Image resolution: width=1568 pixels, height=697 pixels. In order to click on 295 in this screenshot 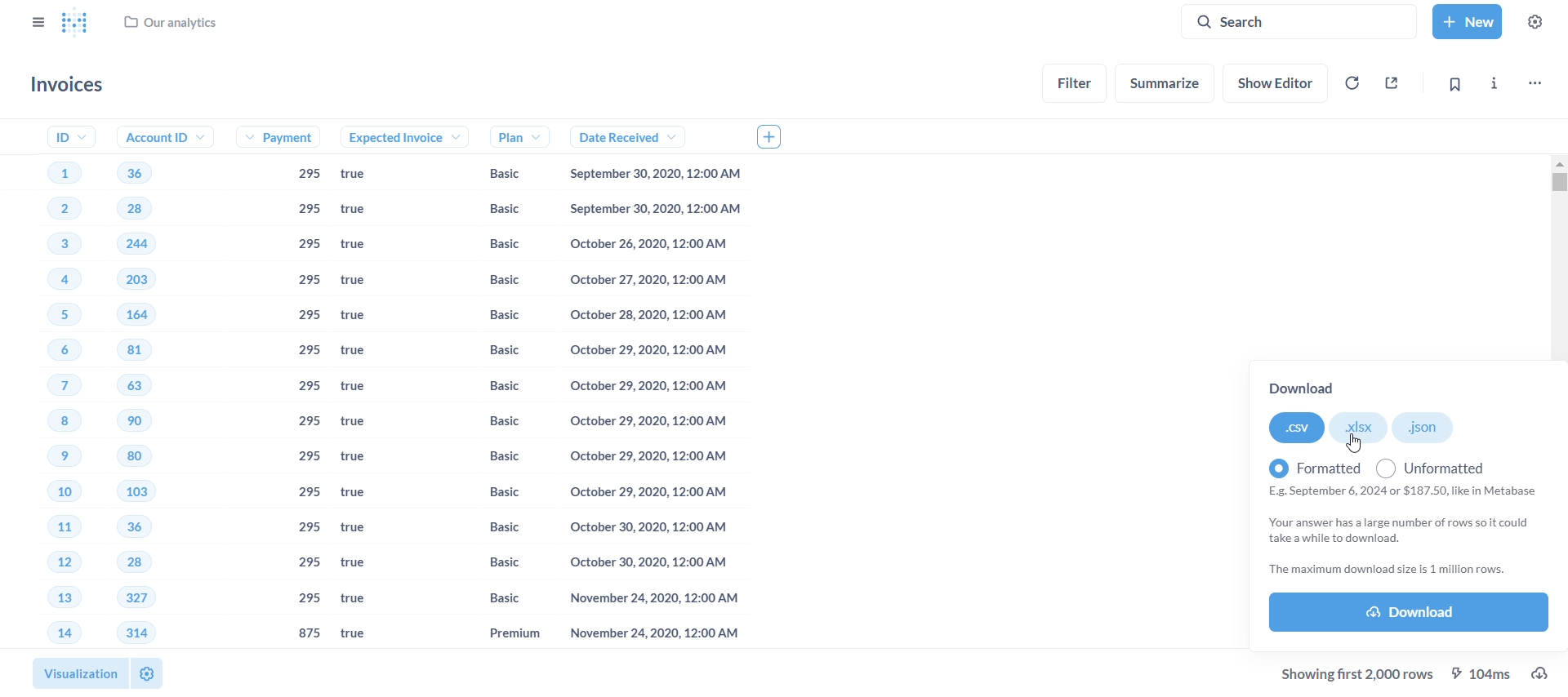, I will do `click(311, 421)`.